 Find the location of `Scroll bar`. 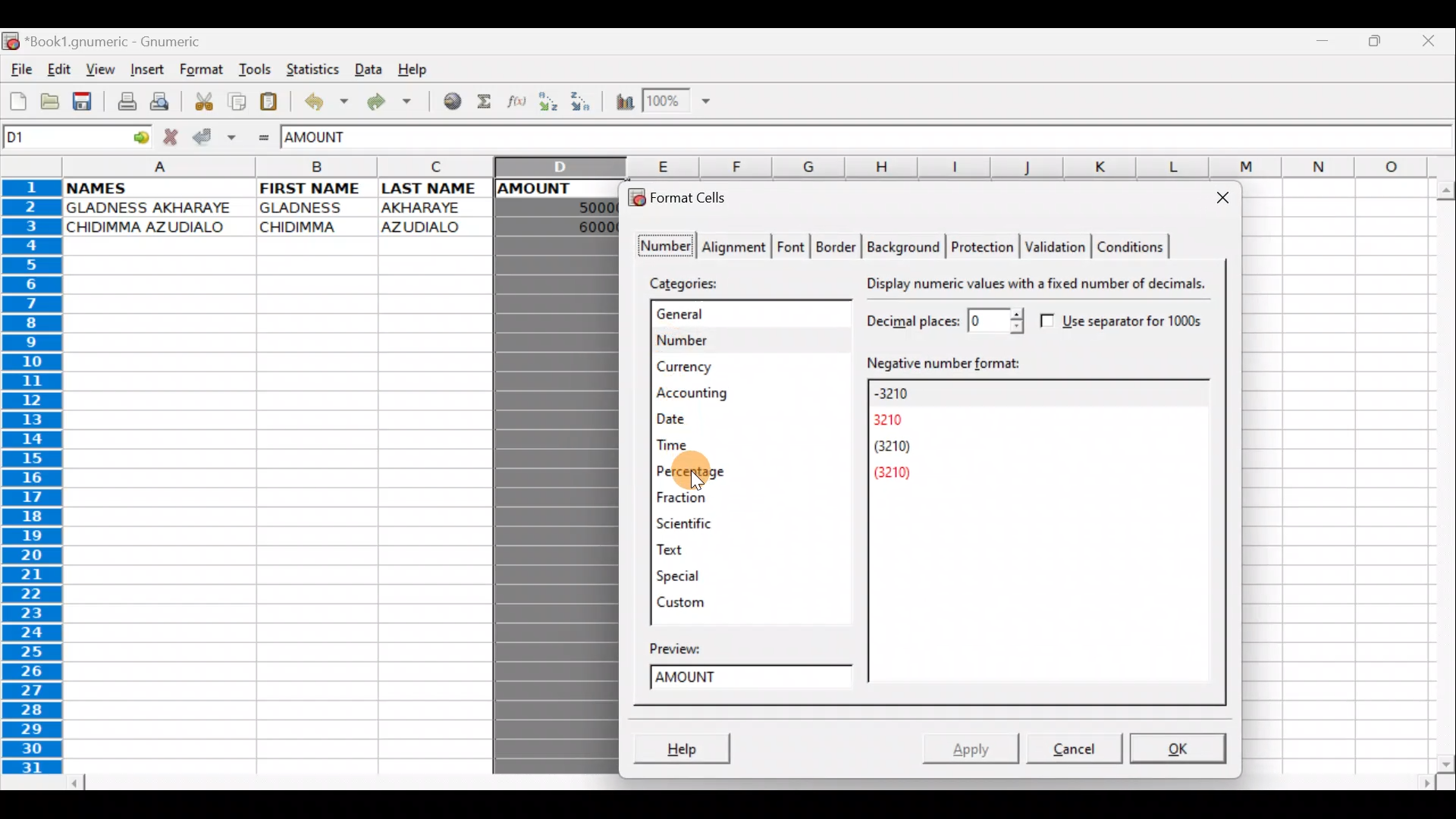

Scroll bar is located at coordinates (1439, 472).